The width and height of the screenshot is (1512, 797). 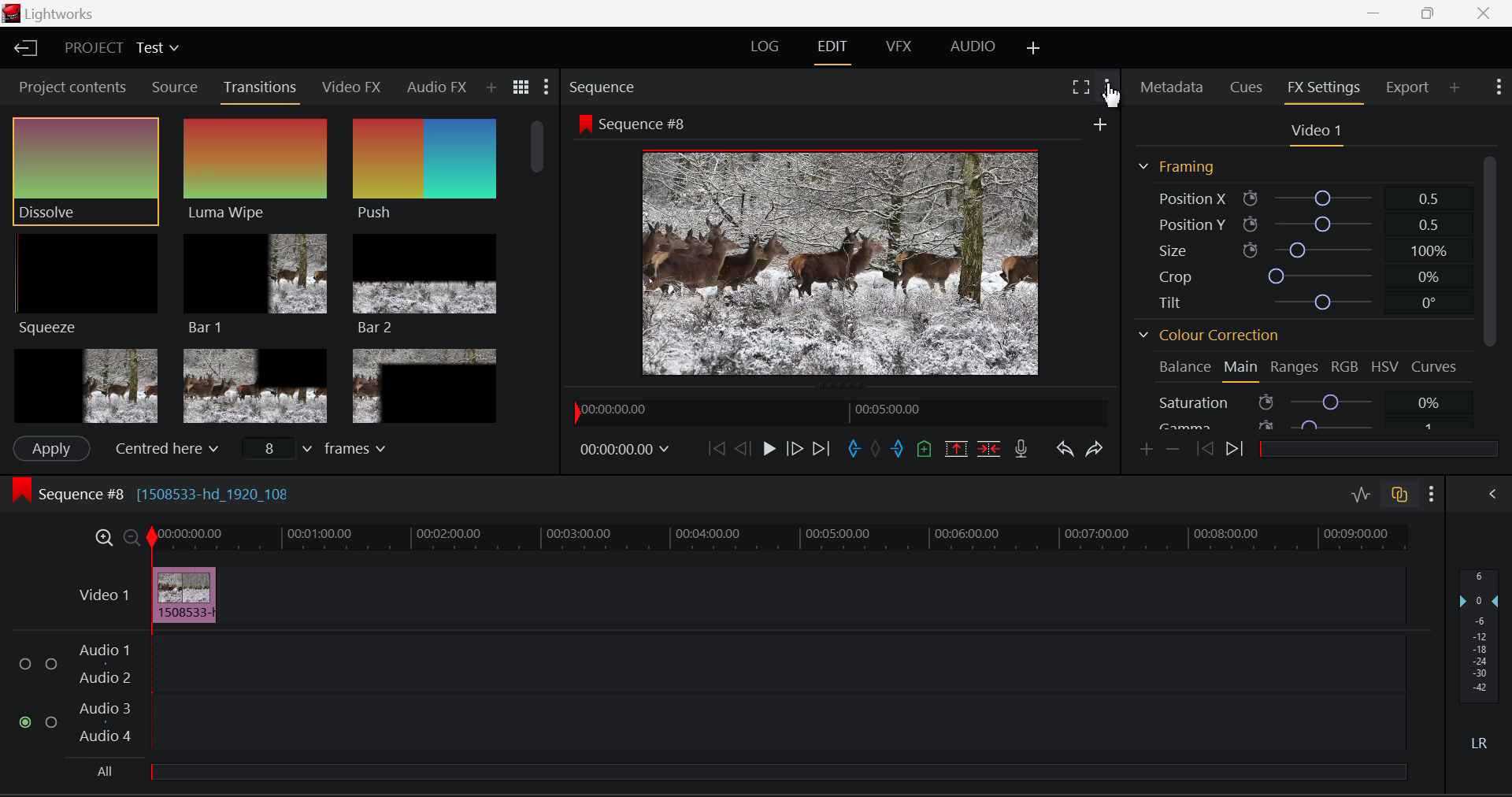 I want to click on To End, so click(x=821, y=449).